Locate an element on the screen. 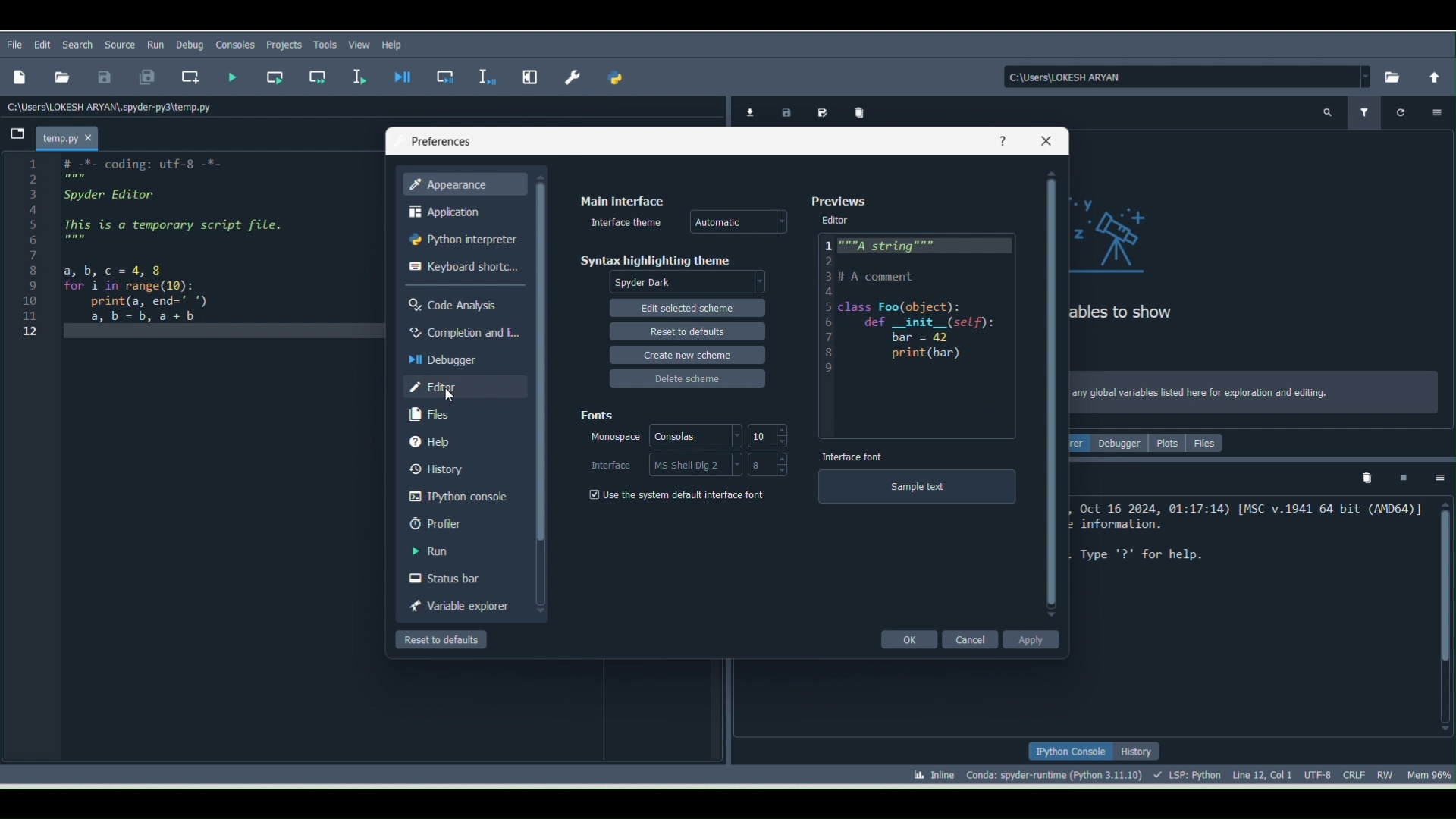 This screenshot has height=819, width=1456. Help is located at coordinates (461, 440).